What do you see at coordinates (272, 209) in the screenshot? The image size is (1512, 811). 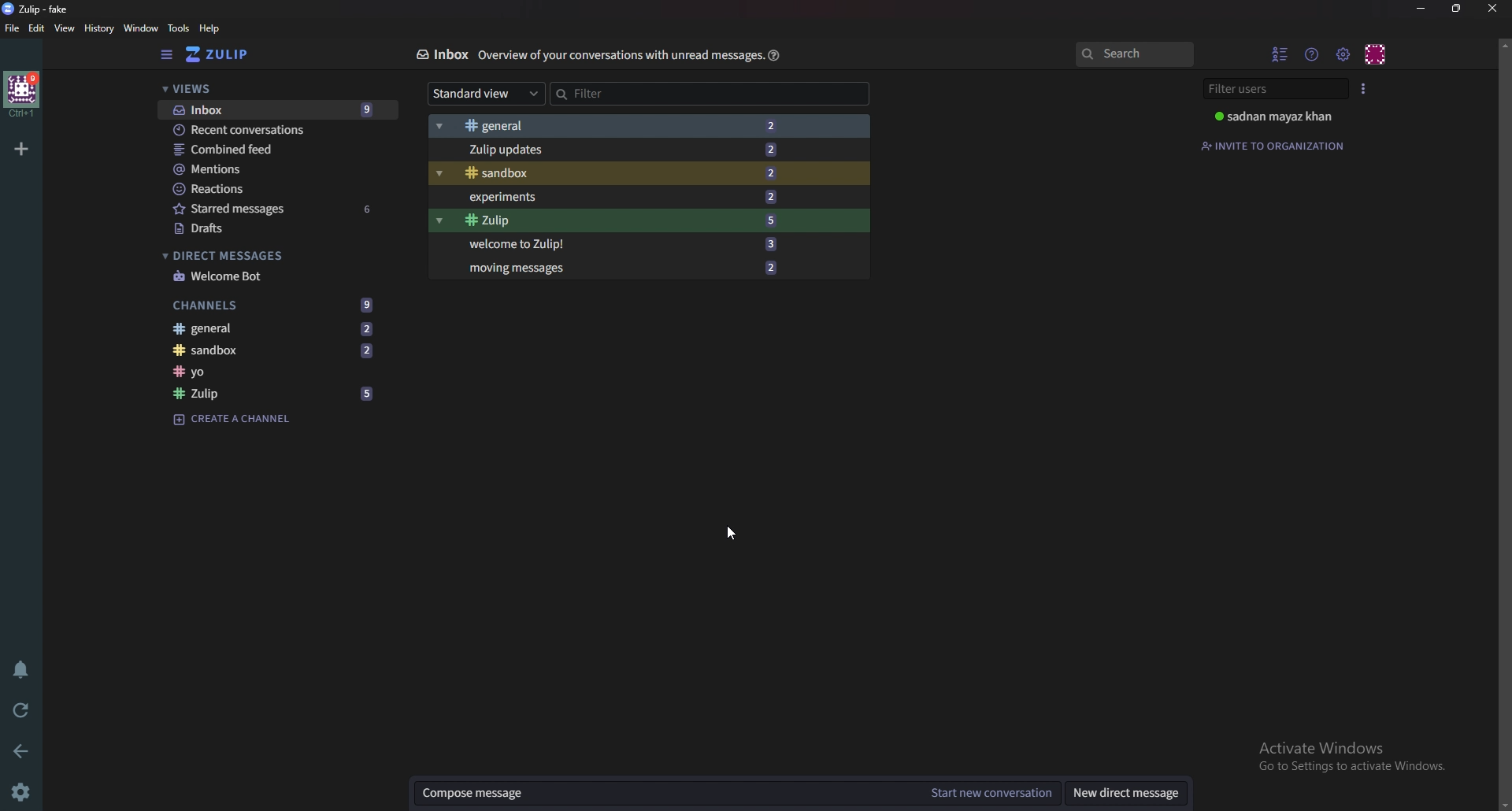 I see `starred messages` at bounding box center [272, 209].